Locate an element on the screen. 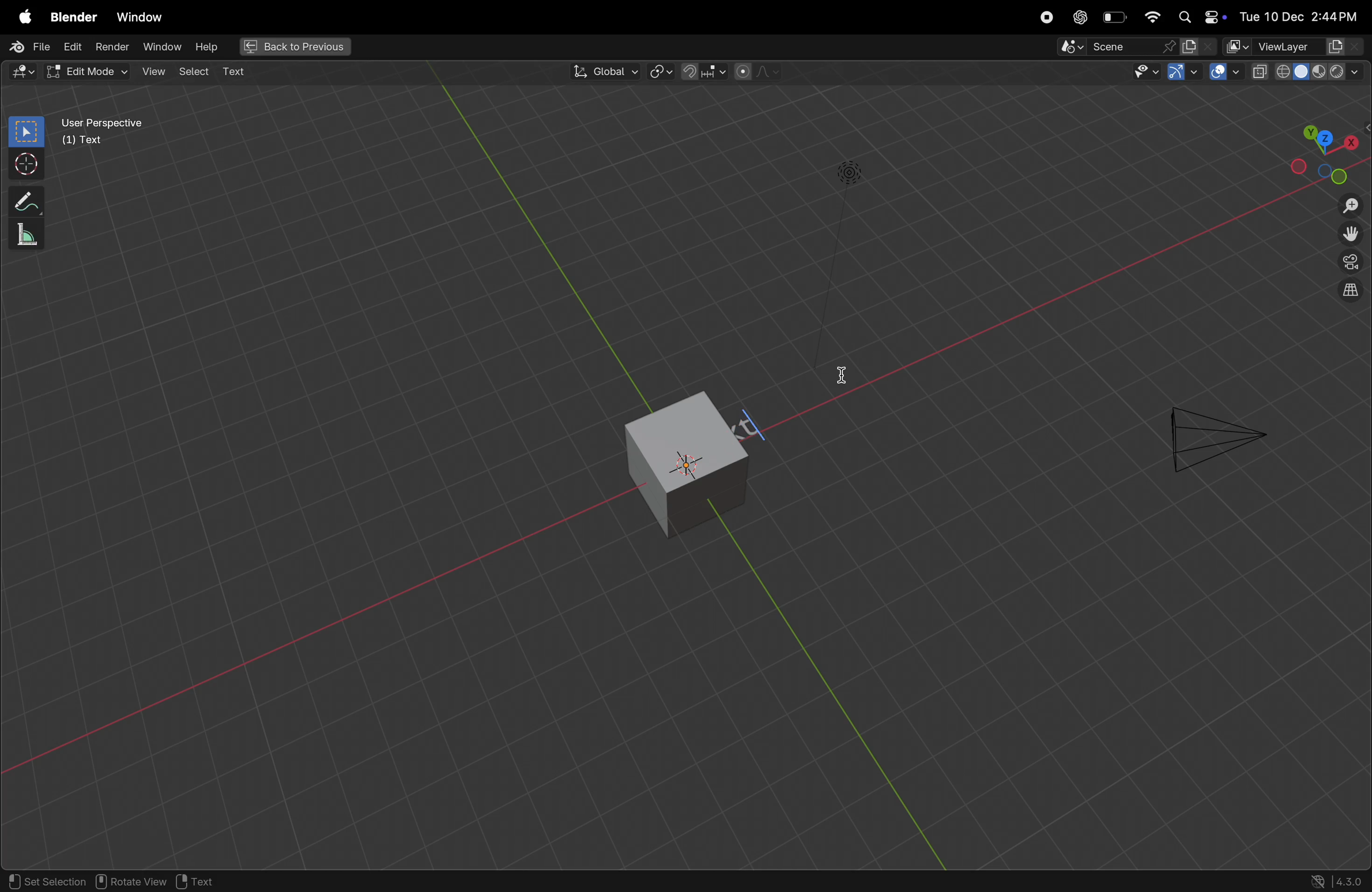 The height and width of the screenshot is (892, 1372). camera view is located at coordinates (1349, 266).